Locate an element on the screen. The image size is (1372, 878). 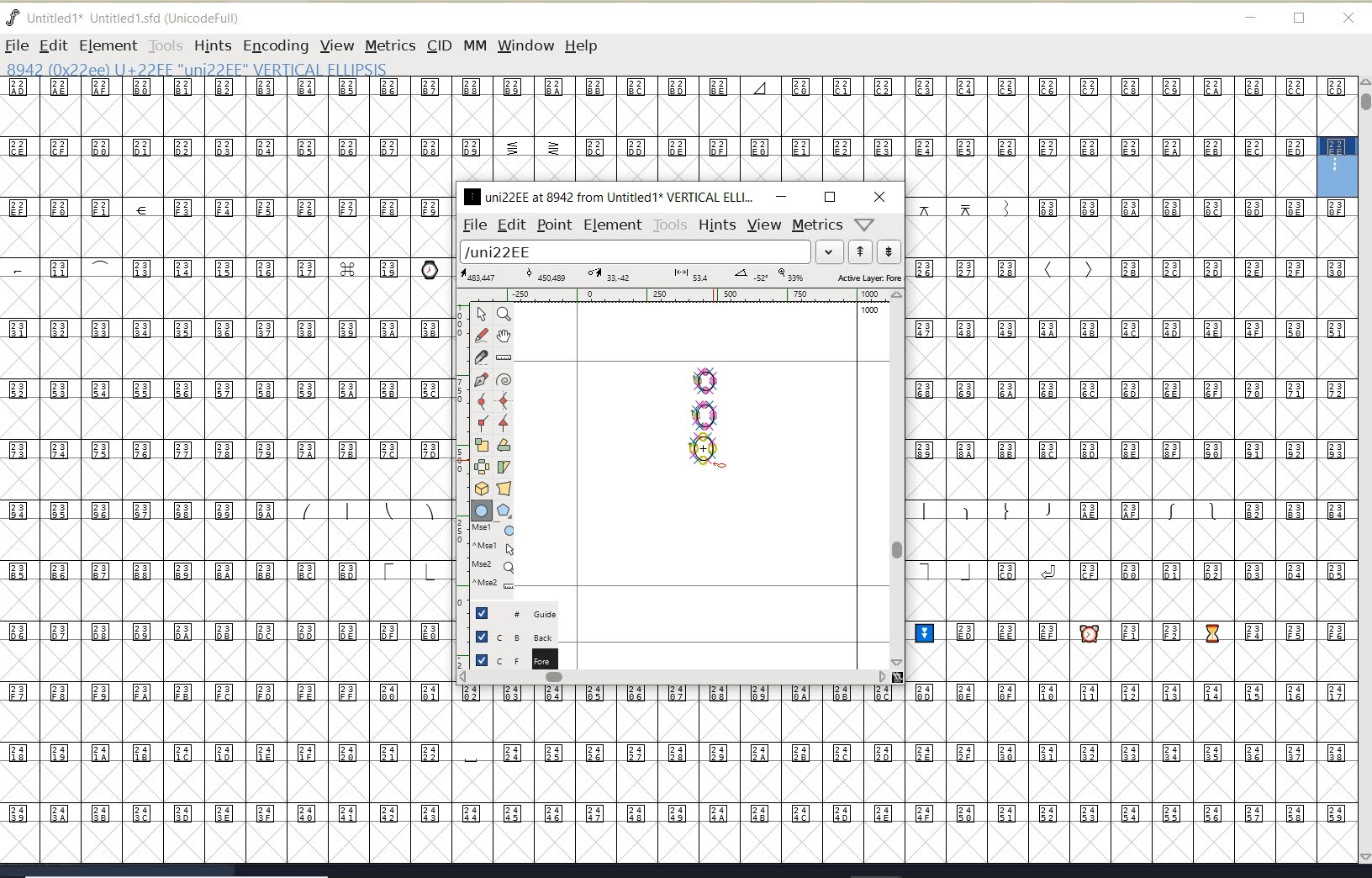
TOOLS is located at coordinates (165, 45).